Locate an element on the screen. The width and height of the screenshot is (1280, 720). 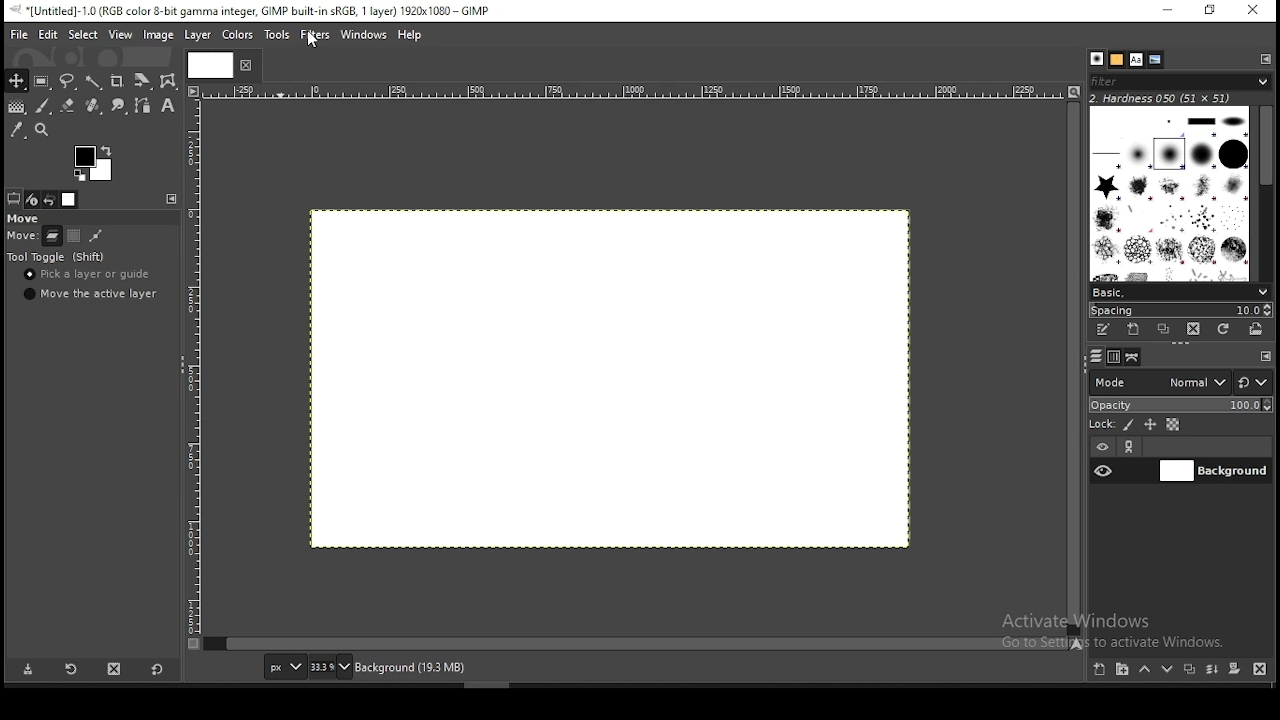
delete brush is located at coordinates (1194, 330).